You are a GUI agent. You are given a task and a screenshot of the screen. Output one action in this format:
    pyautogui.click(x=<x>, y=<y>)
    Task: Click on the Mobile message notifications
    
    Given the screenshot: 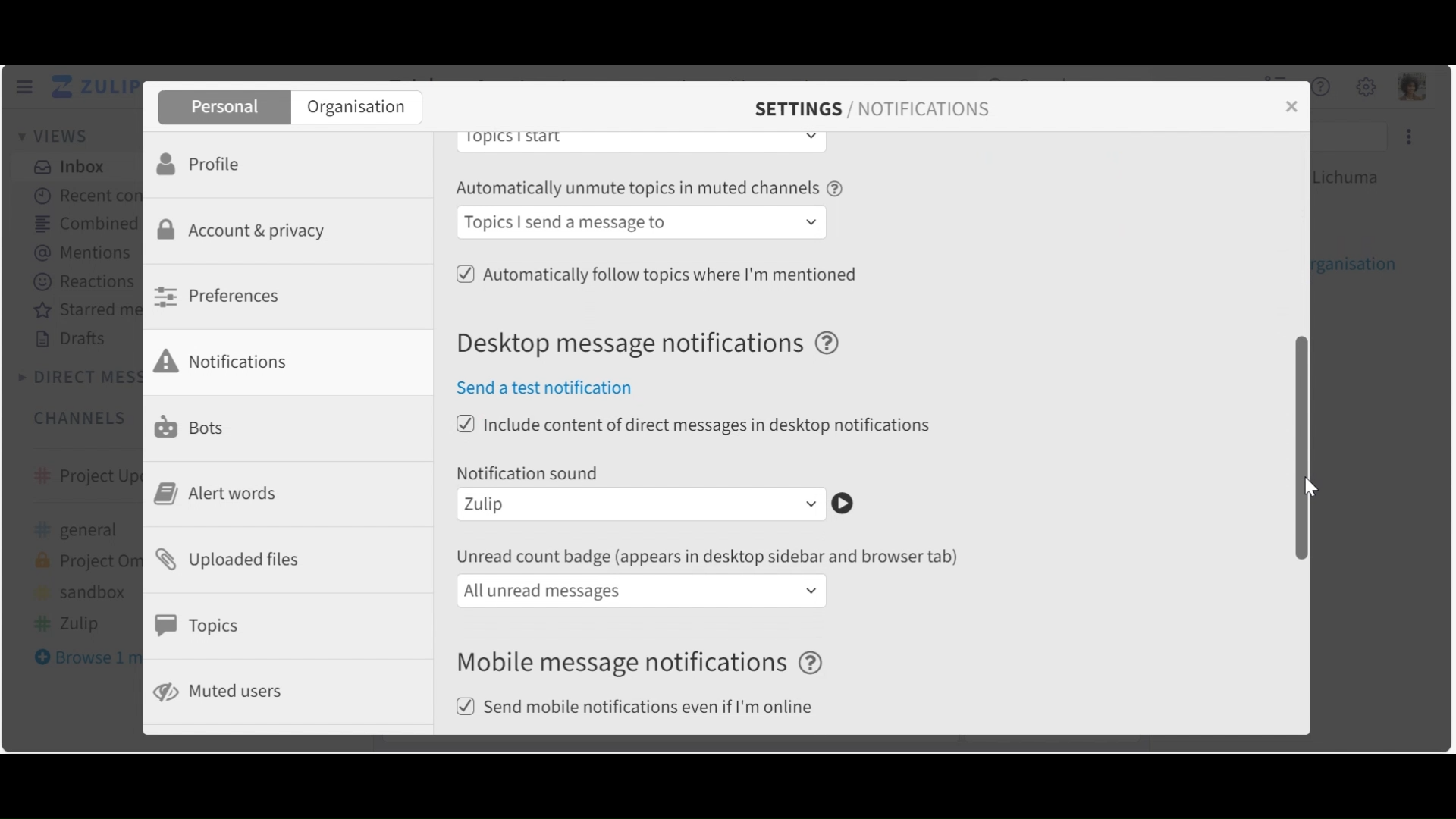 What is the action you would take?
    pyautogui.click(x=644, y=664)
    